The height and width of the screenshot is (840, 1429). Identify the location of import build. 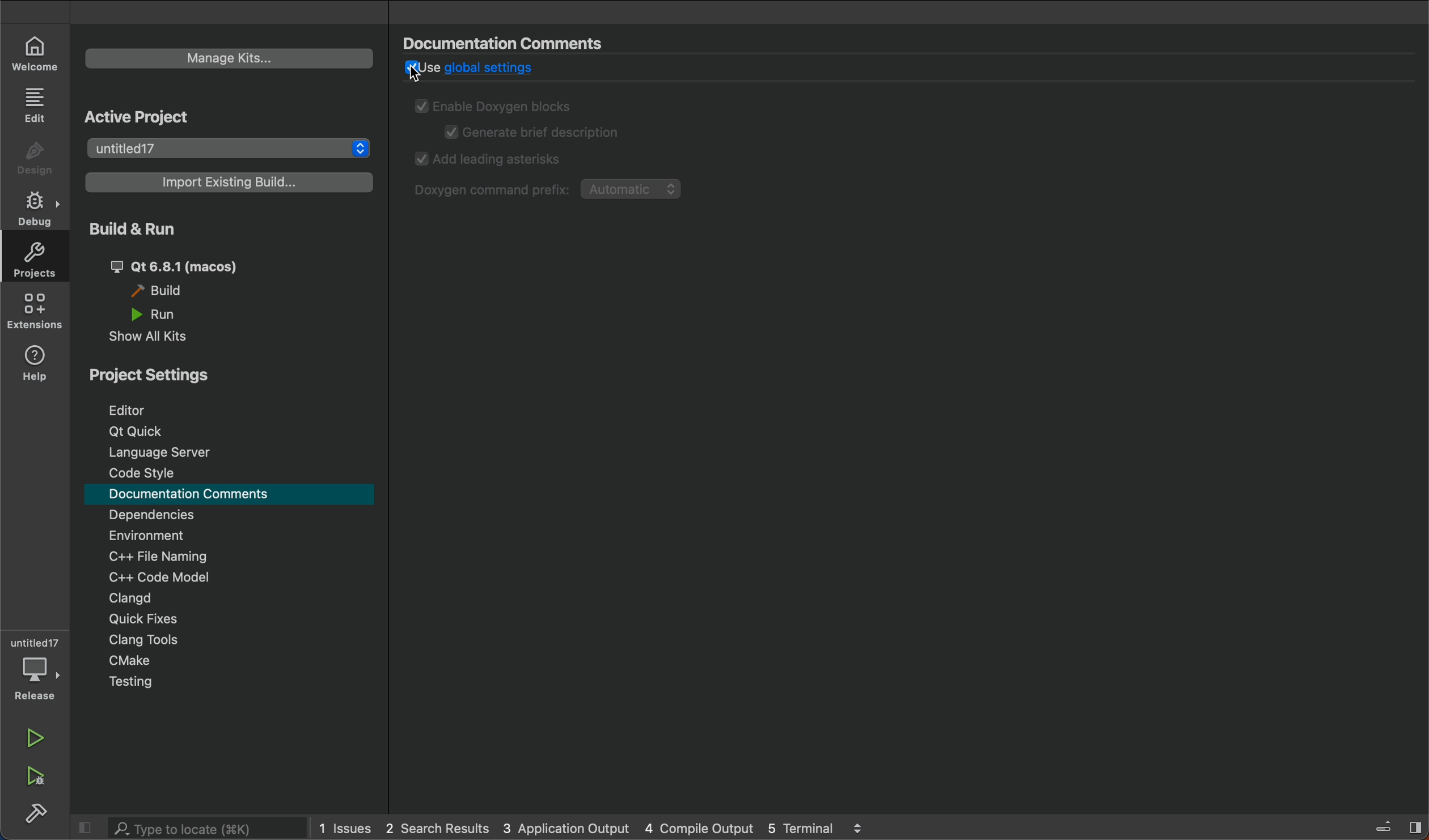
(231, 182).